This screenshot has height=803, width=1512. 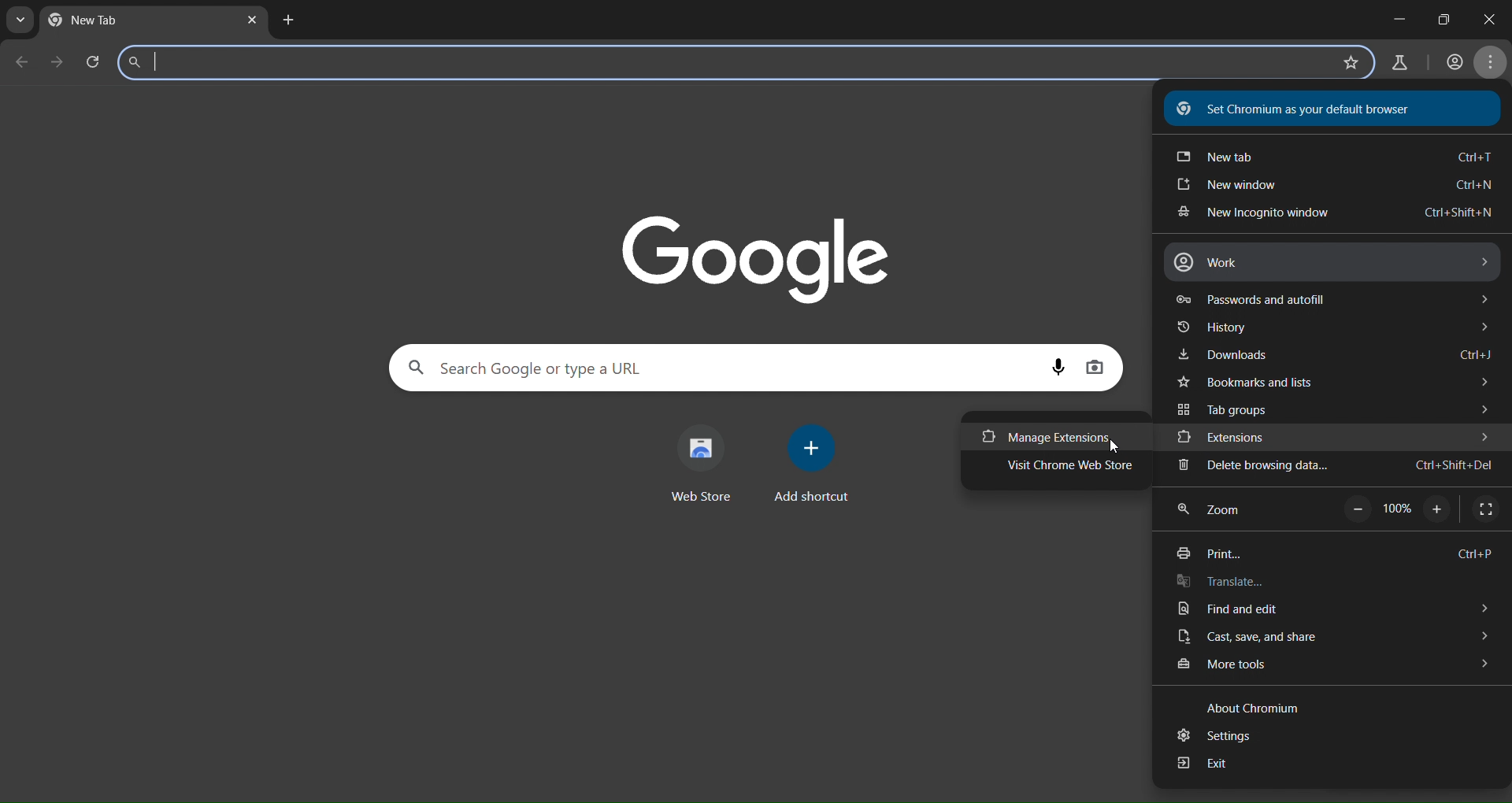 I want to click on exit, so click(x=1209, y=764).